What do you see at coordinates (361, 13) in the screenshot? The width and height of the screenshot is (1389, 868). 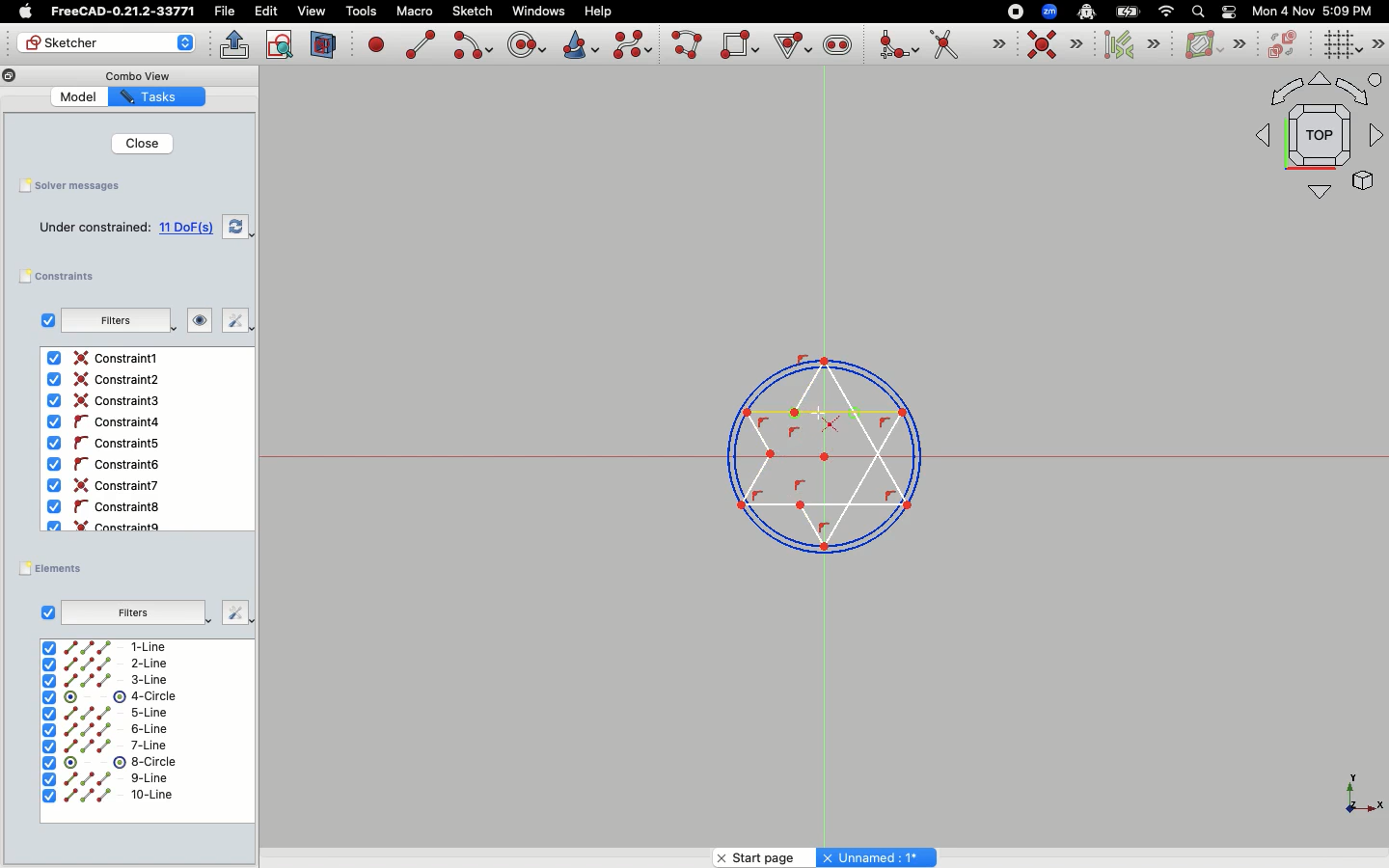 I see `Tools` at bounding box center [361, 13].